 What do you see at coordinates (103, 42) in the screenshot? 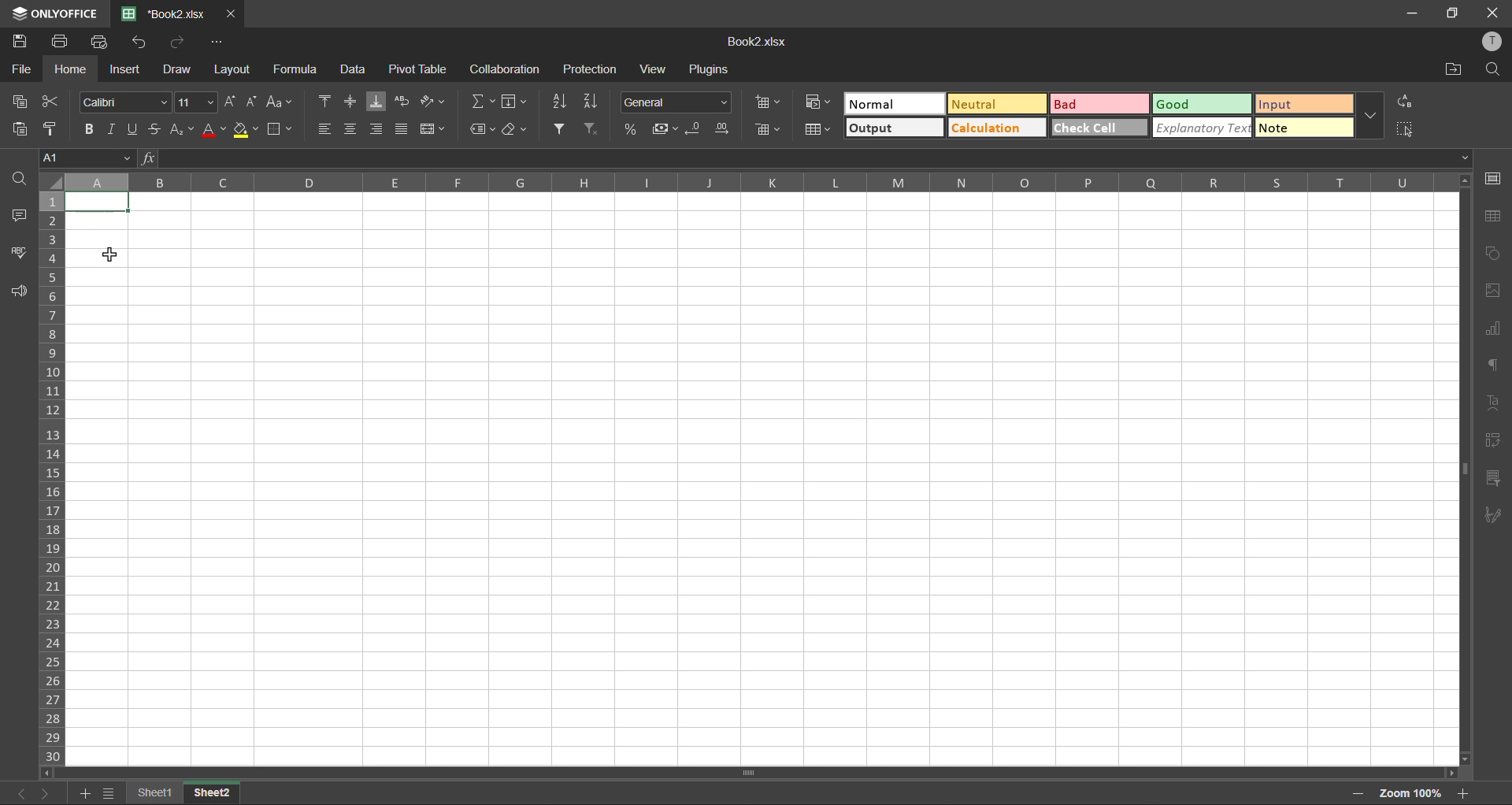
I see `quick print` at bounding box center [103, 42].